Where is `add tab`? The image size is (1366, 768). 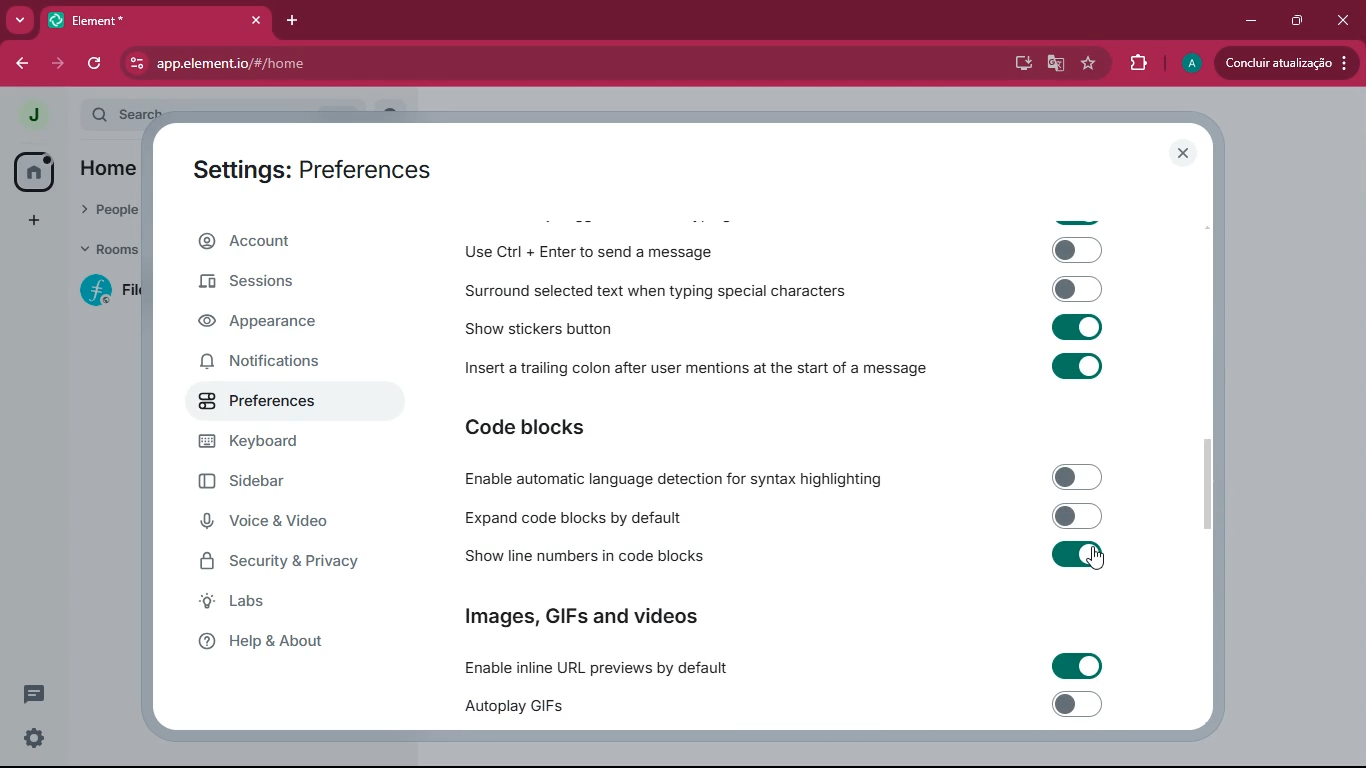
add tab is located at coordinates (290, 22).